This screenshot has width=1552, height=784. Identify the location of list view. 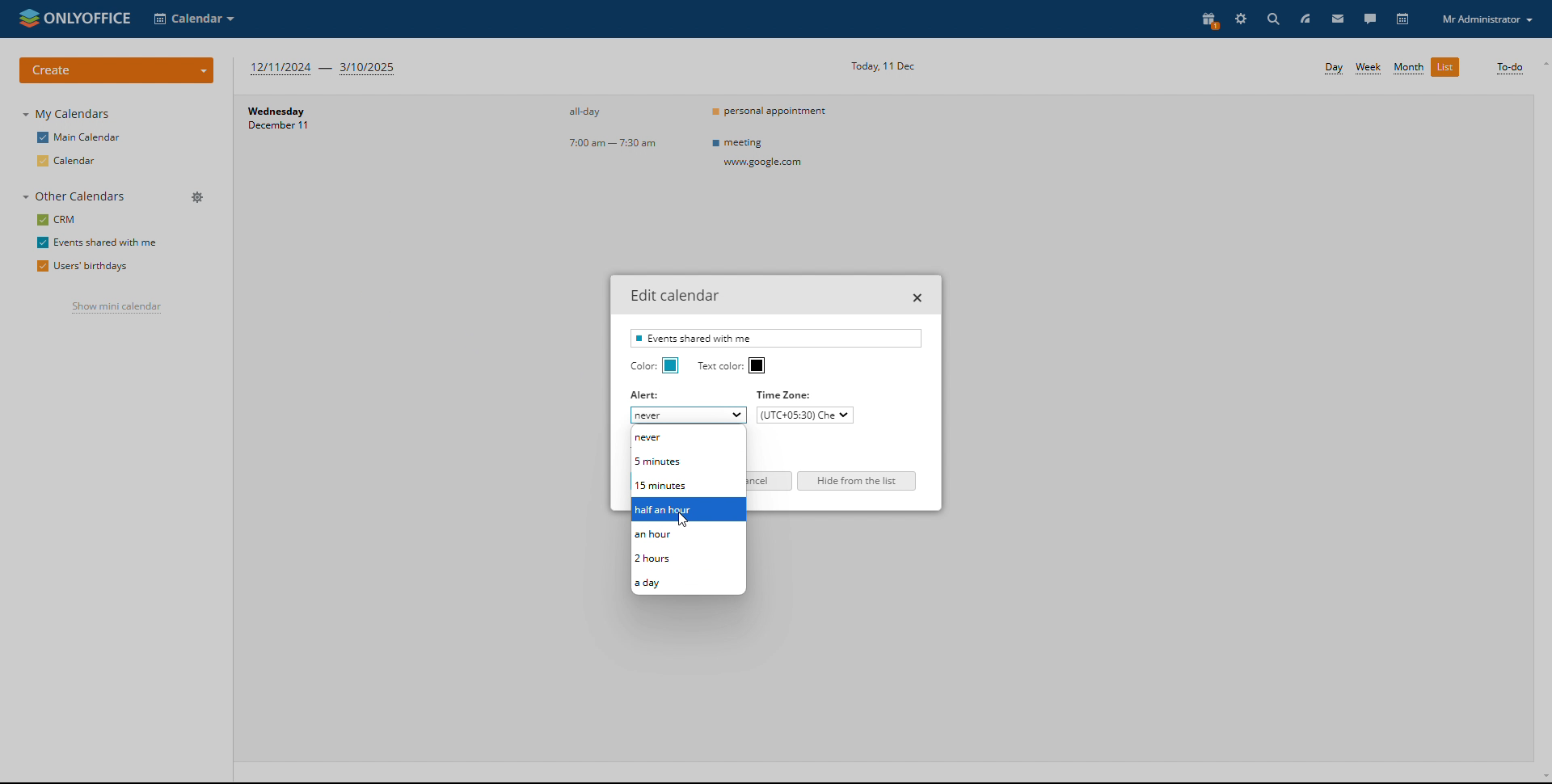
(1445, 66).